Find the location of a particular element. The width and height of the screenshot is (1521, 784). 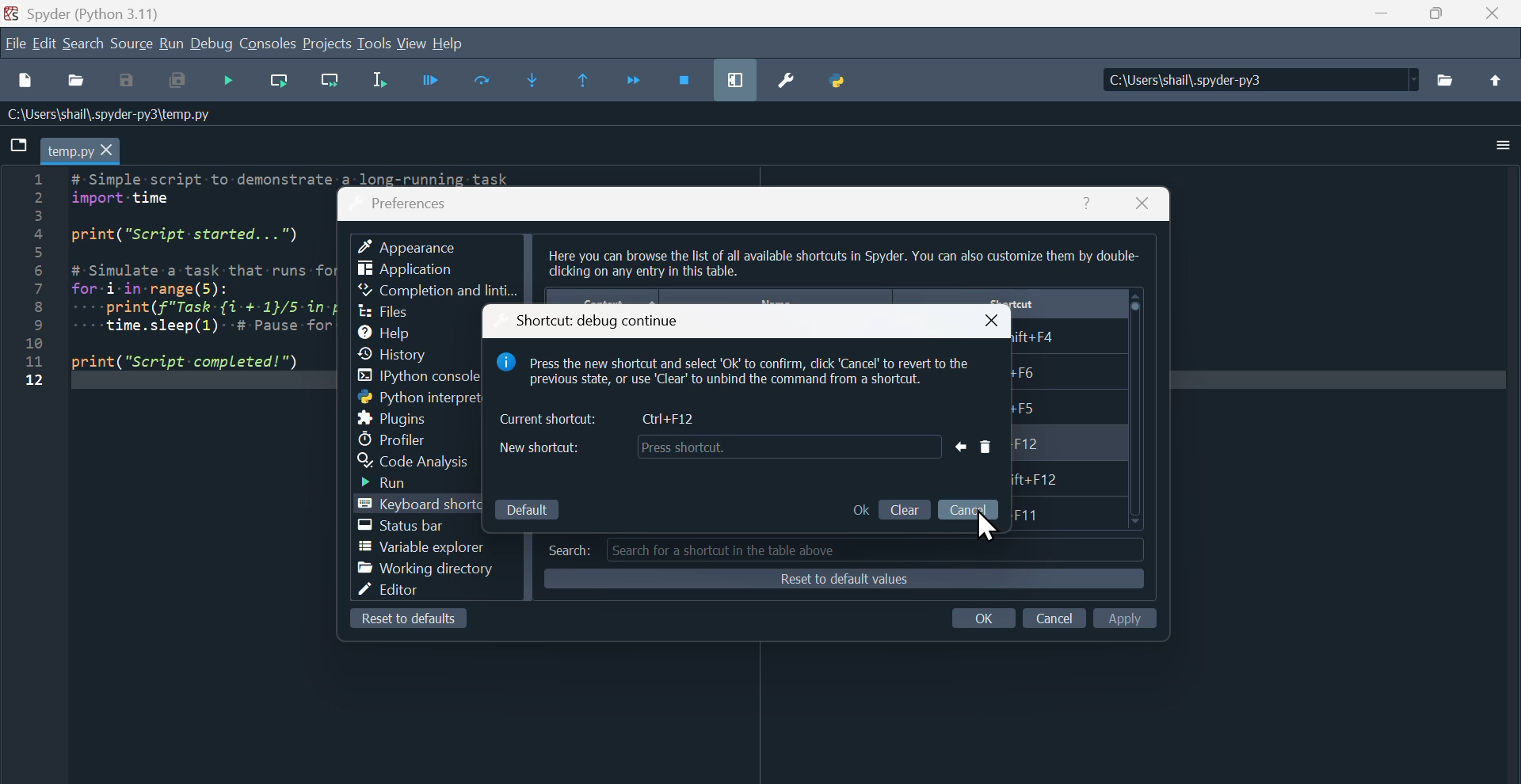

maximise current window is located at coordinates (734, 77).